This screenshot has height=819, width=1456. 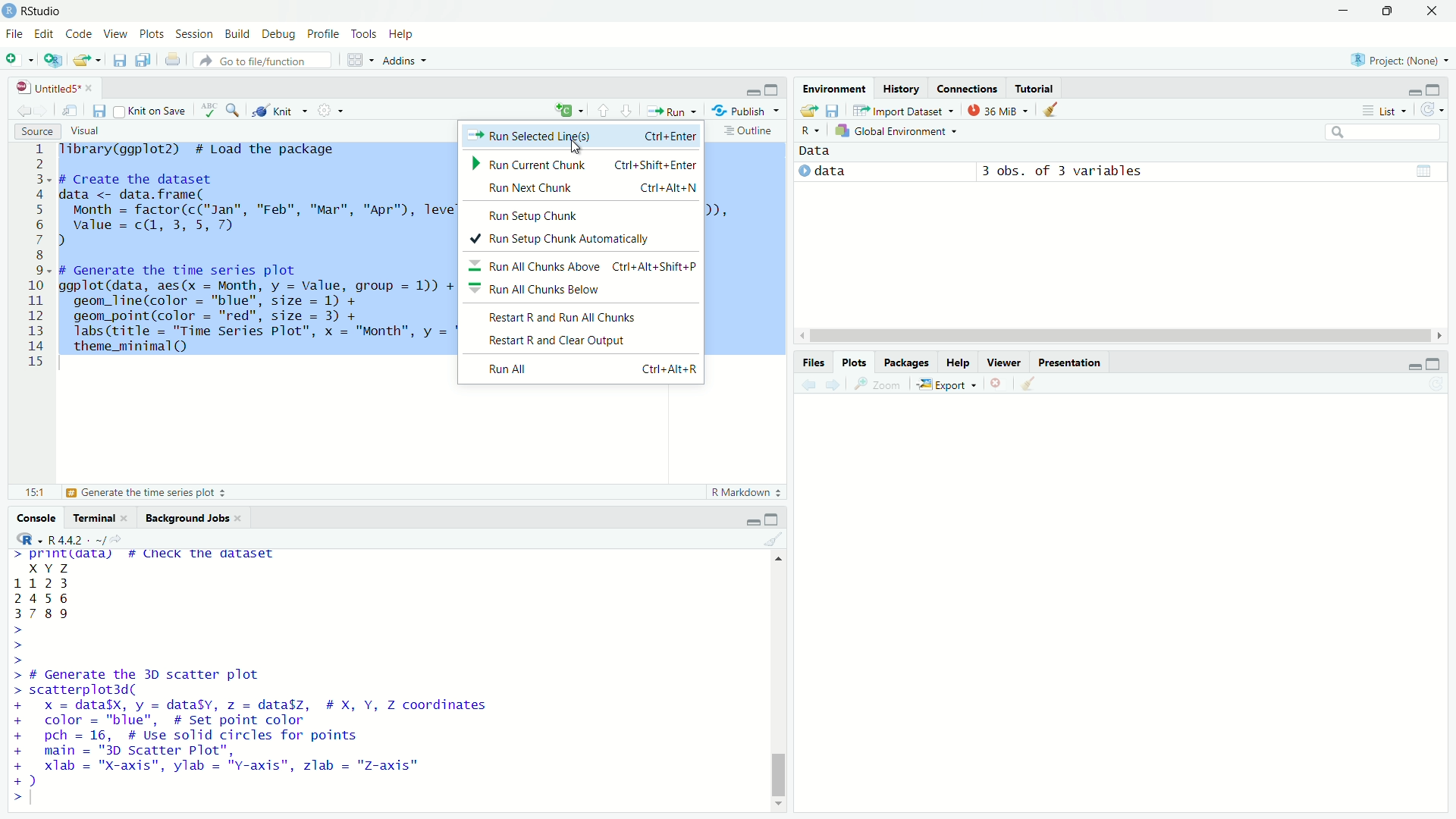 What do you see at coordinates (777, 686) in the screenshot?
I see `scrollbar` at bounding box center [777, 686].